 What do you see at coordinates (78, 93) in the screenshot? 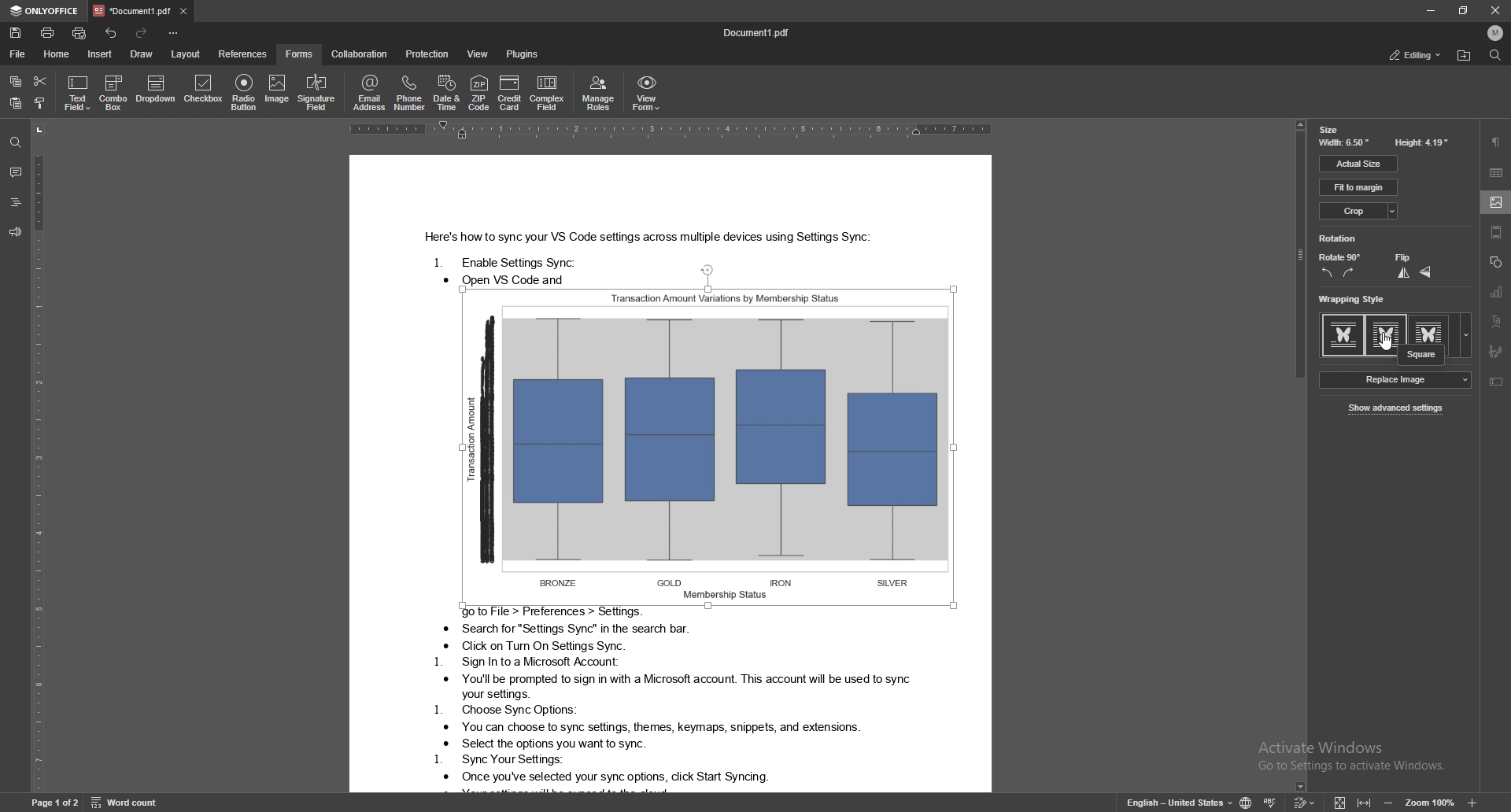
I see `text field` at bounding box center [78, 93].